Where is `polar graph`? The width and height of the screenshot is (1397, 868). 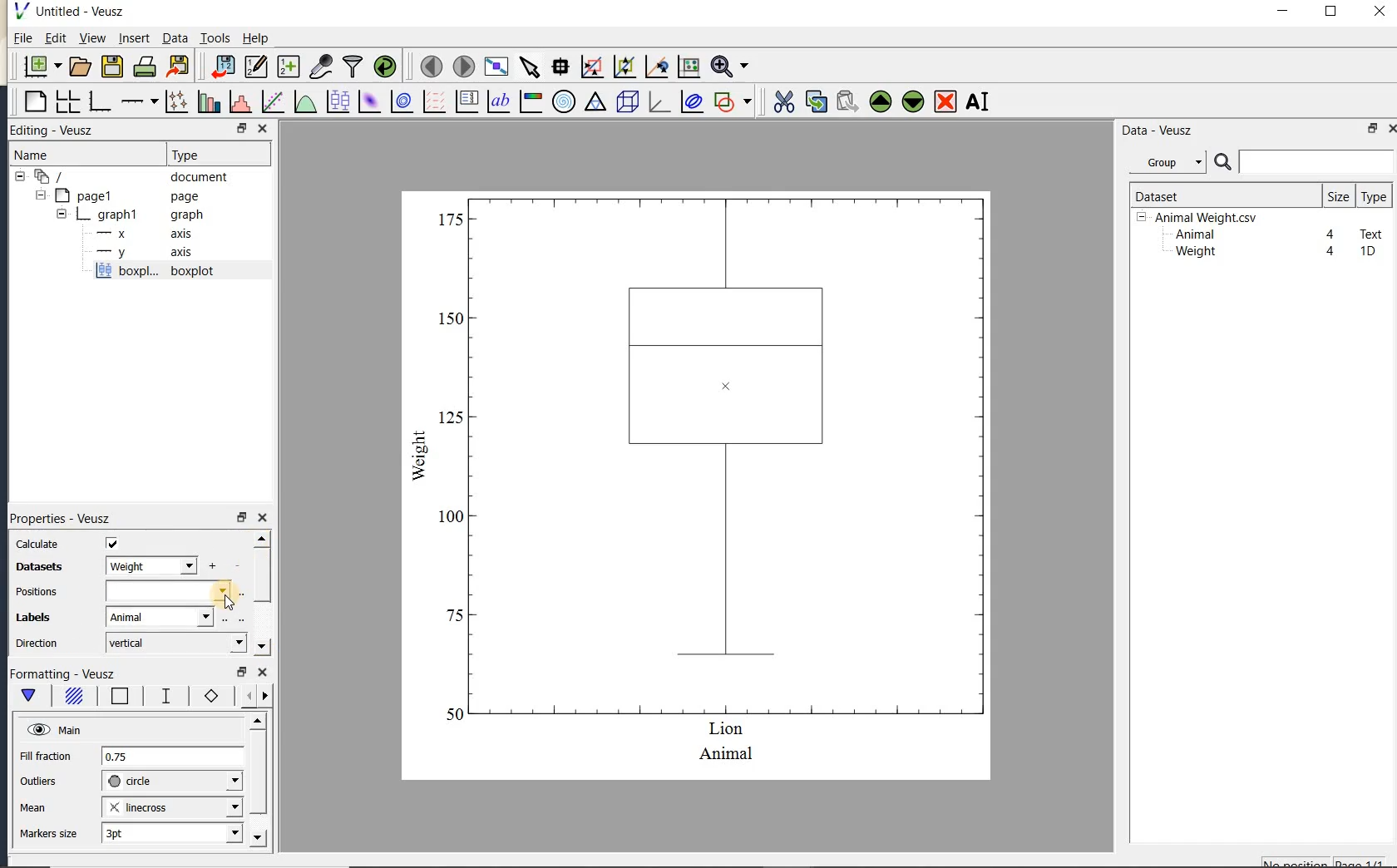 polar graph is located at coordinates (563, 101).